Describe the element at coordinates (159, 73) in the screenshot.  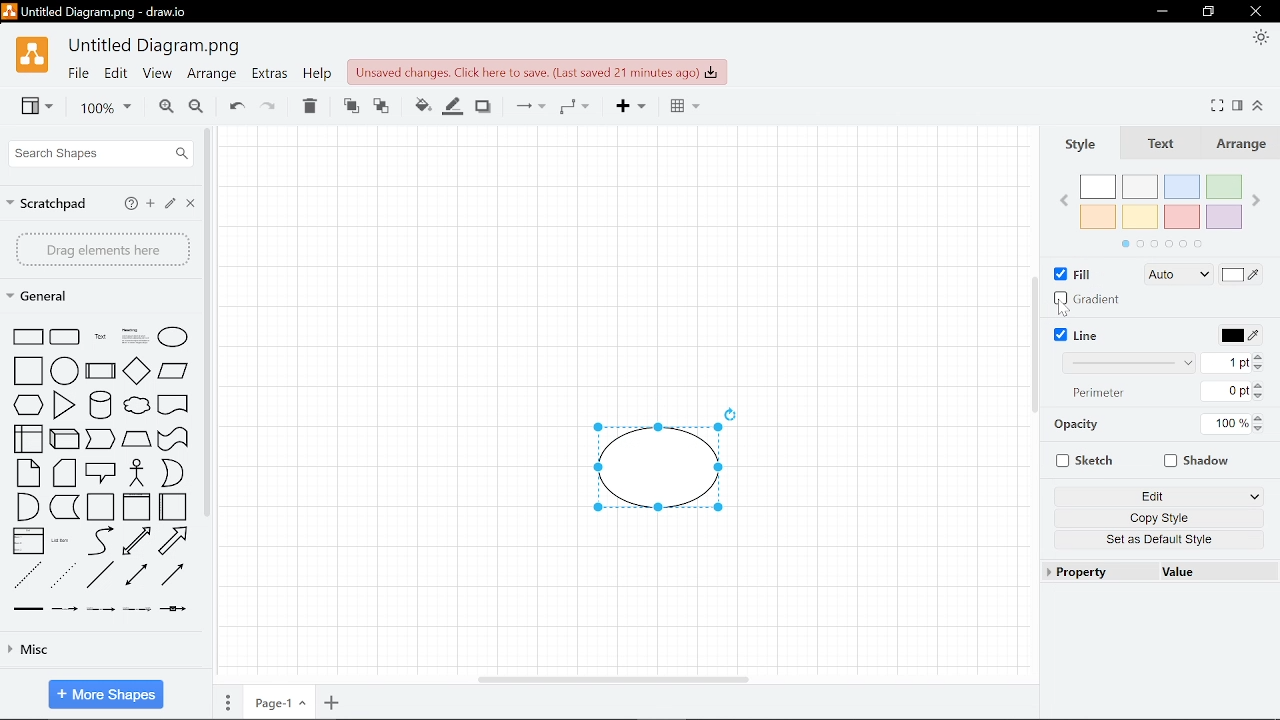
I see `View` at that location.